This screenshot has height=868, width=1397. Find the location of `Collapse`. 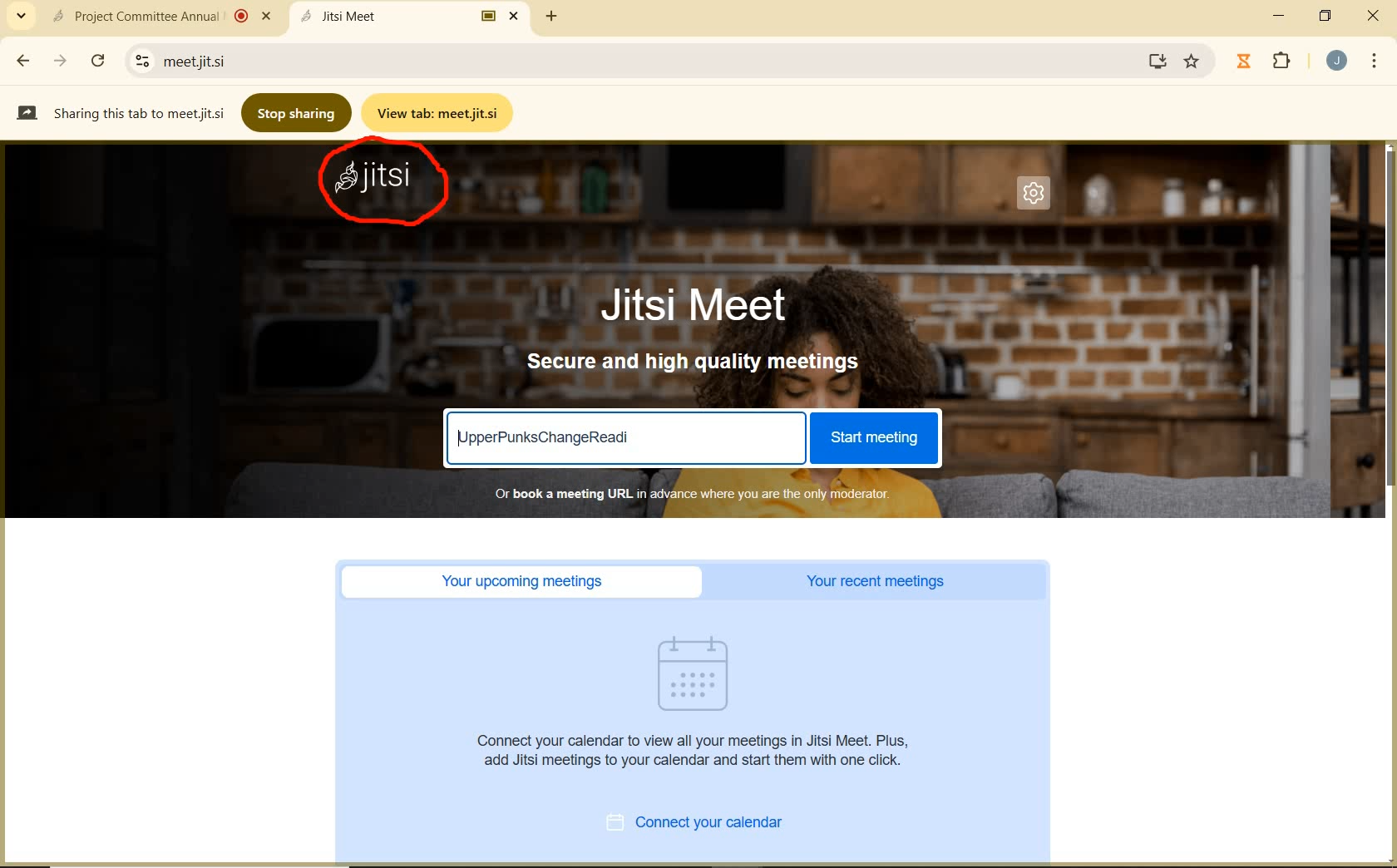

Collapse is located at coordinates (21, 17).